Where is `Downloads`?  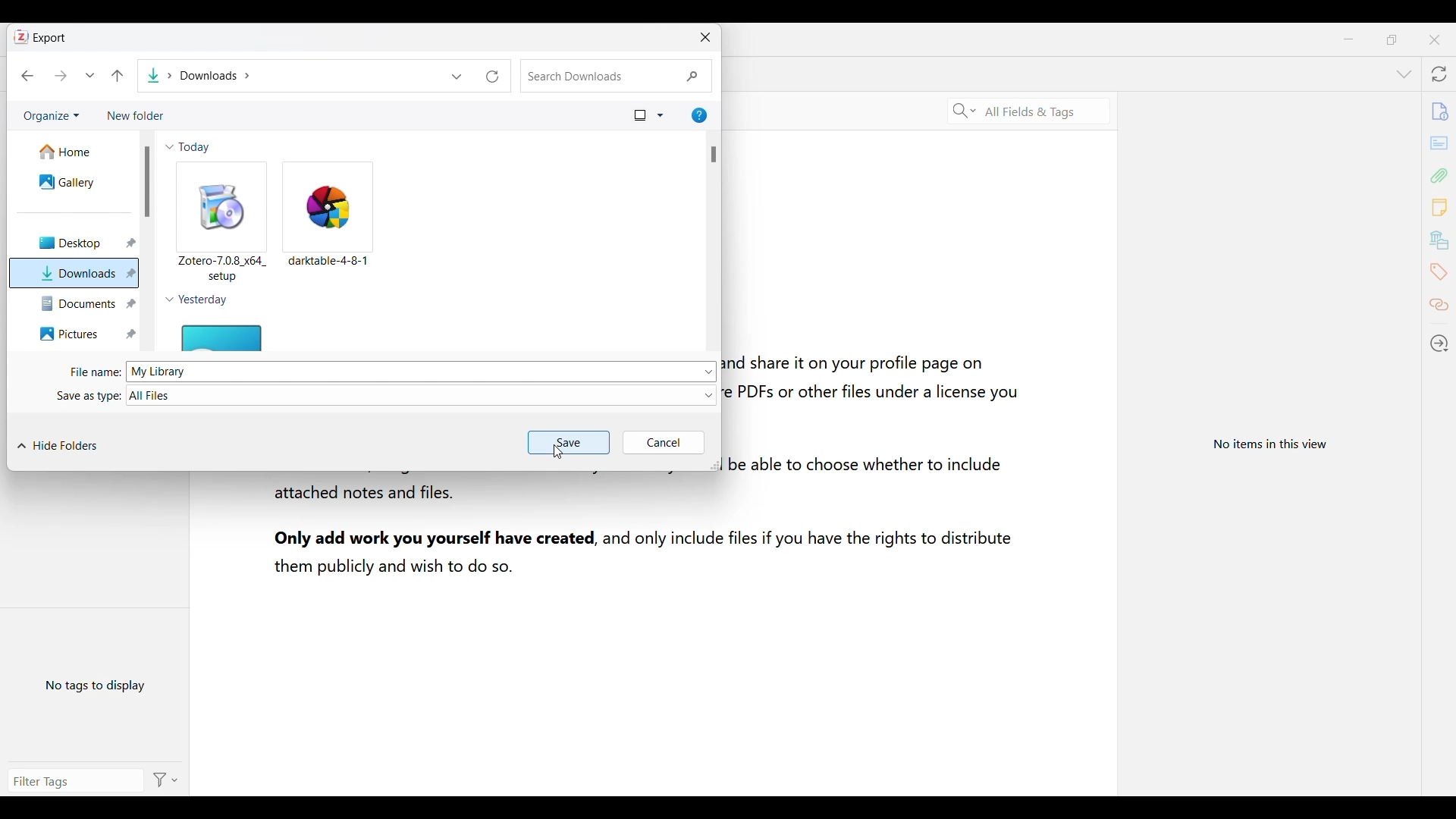 Downloads is located at coordinates (76, 272).